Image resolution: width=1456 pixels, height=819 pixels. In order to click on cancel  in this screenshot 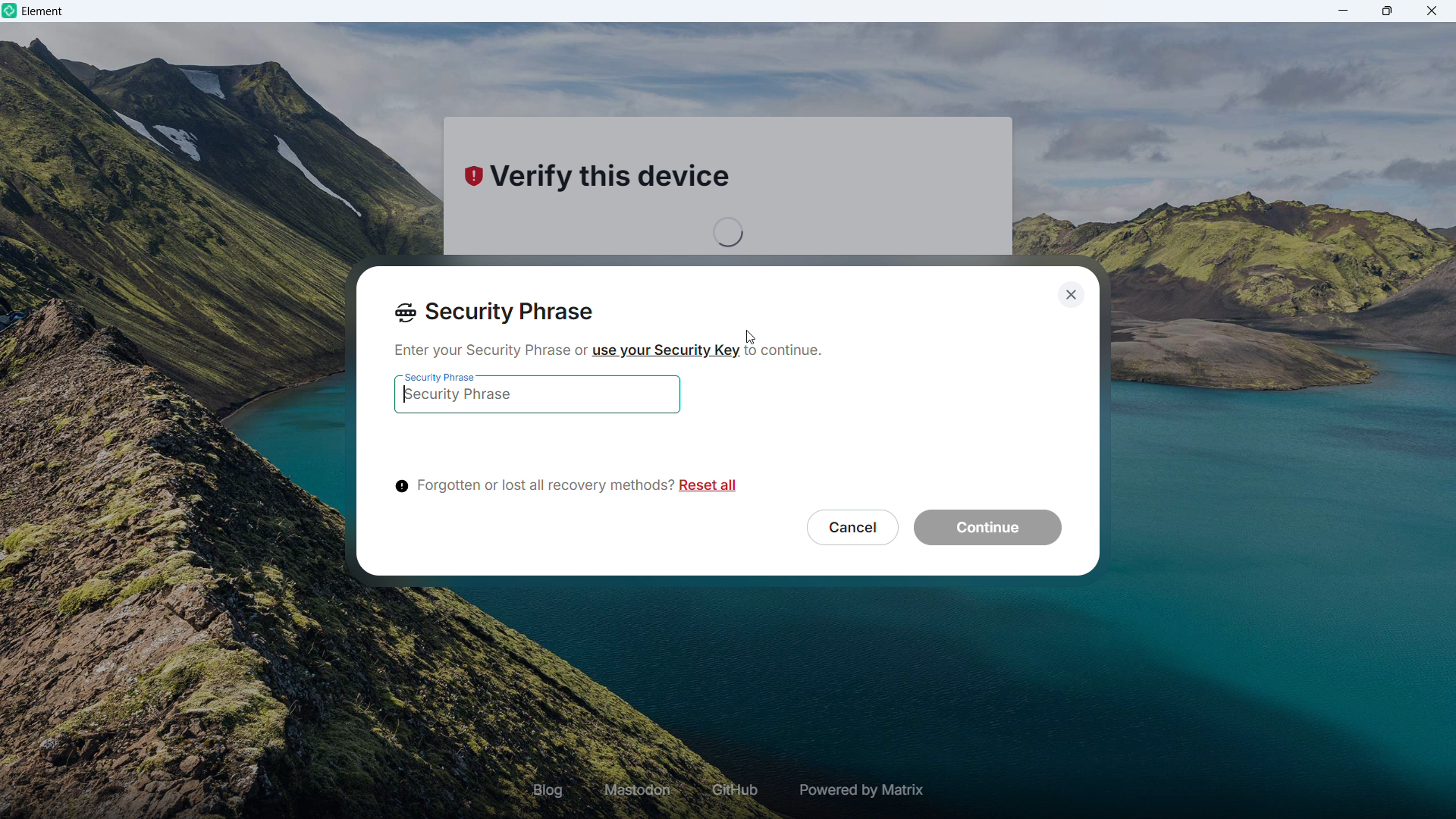, I will do `click(849, 526)`.